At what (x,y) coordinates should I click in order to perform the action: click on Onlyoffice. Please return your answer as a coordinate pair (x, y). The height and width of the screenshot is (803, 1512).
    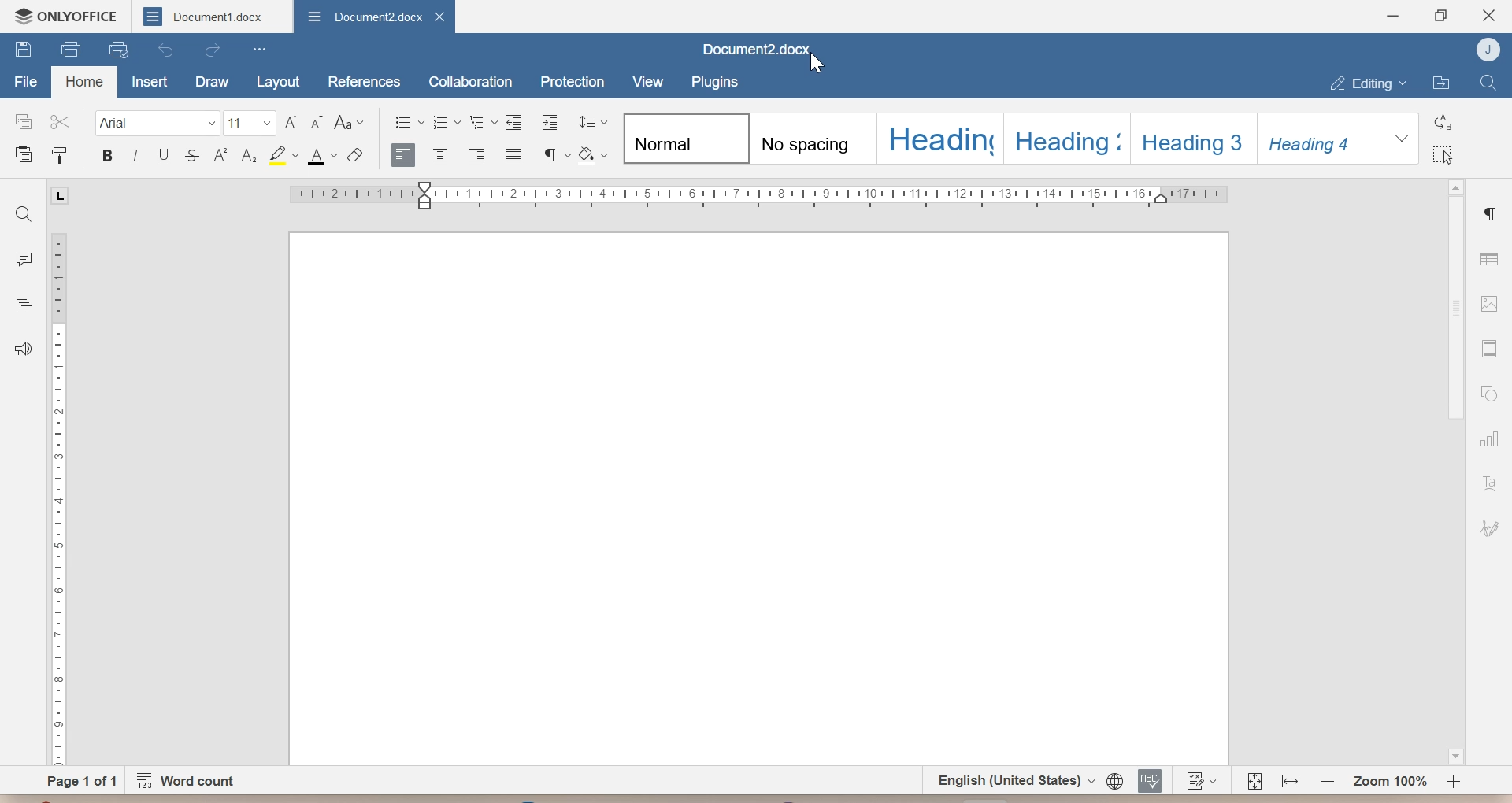
    Looking at the image, I should click on (81, 15).